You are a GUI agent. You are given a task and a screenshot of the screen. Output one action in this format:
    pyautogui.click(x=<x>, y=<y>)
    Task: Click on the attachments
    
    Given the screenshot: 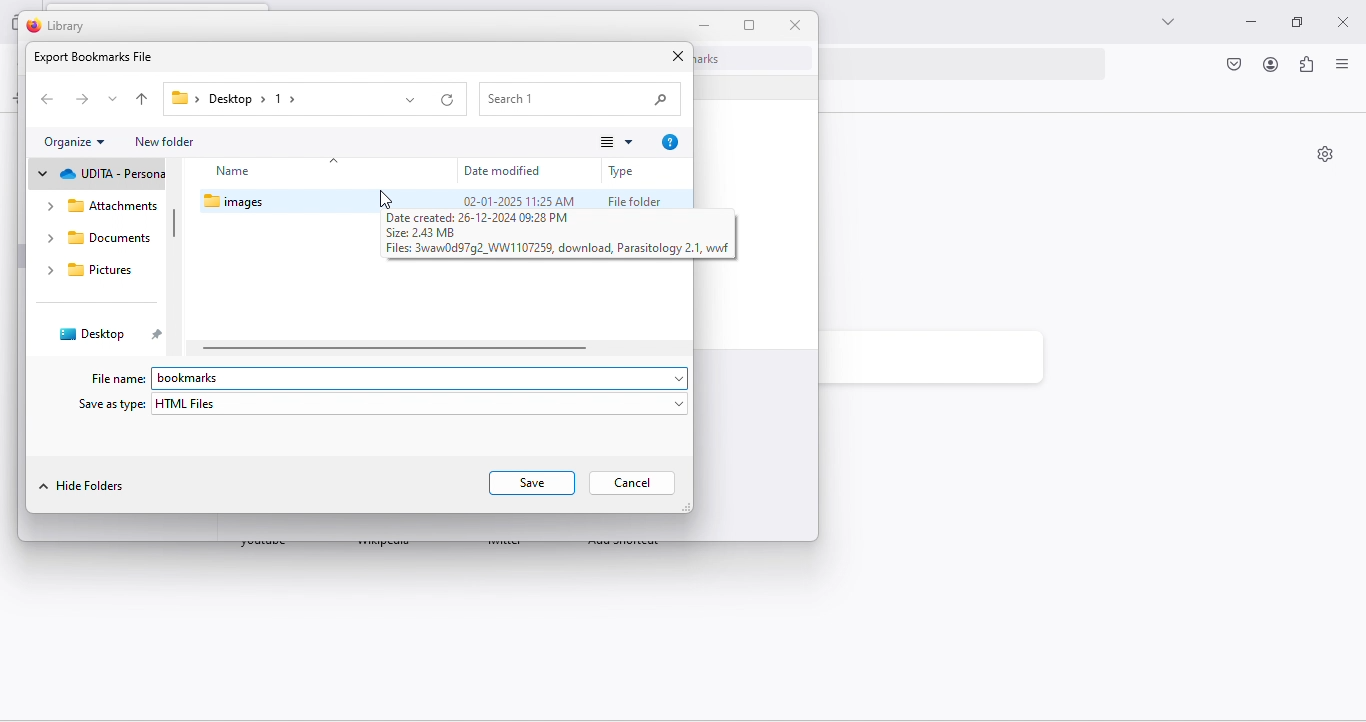 What is the action you would take?
    pyautogui.click(x=99, y=206)
    